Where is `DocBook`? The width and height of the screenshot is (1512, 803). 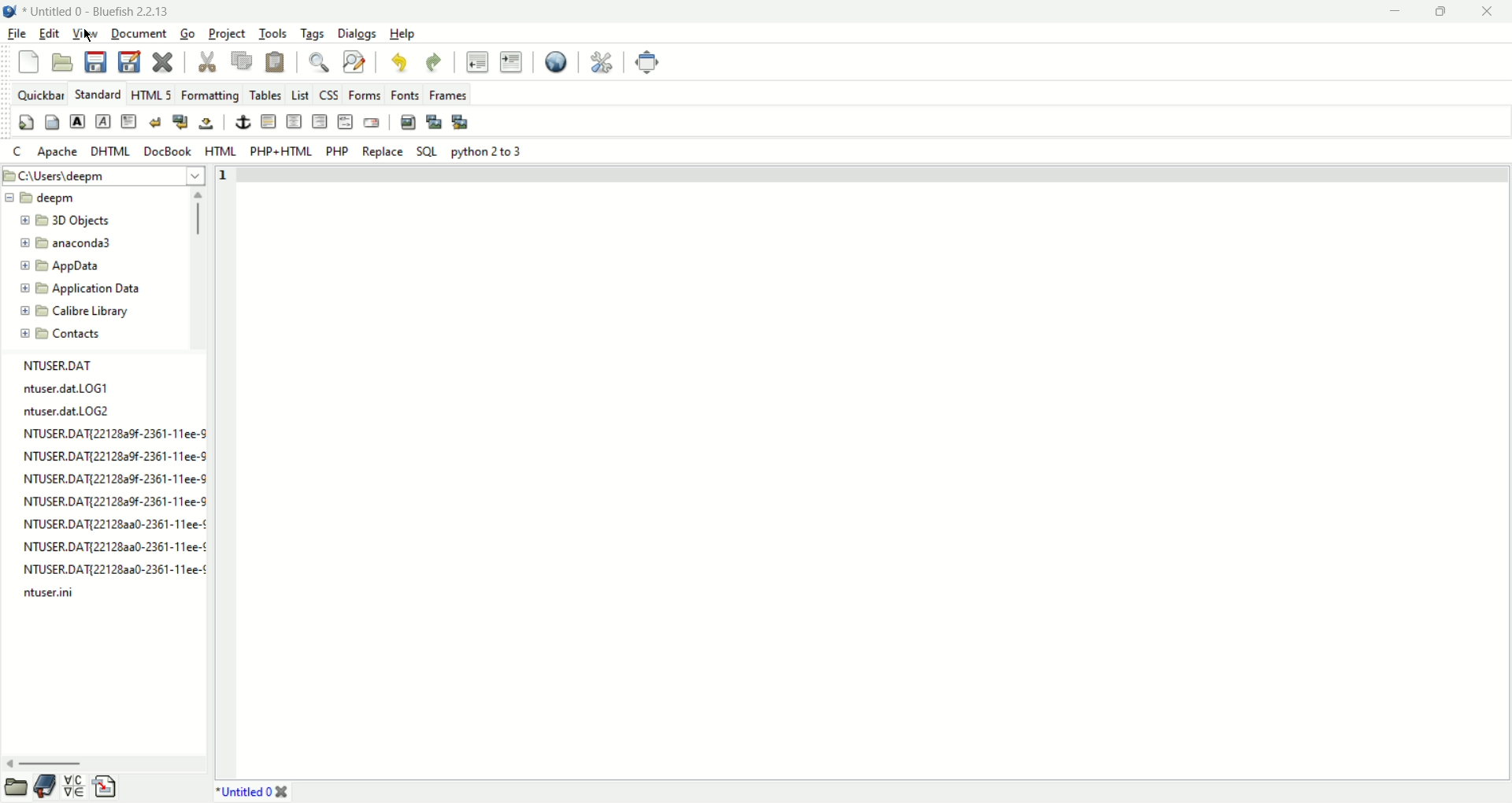
DocBook is located at coordinates (169, 154).